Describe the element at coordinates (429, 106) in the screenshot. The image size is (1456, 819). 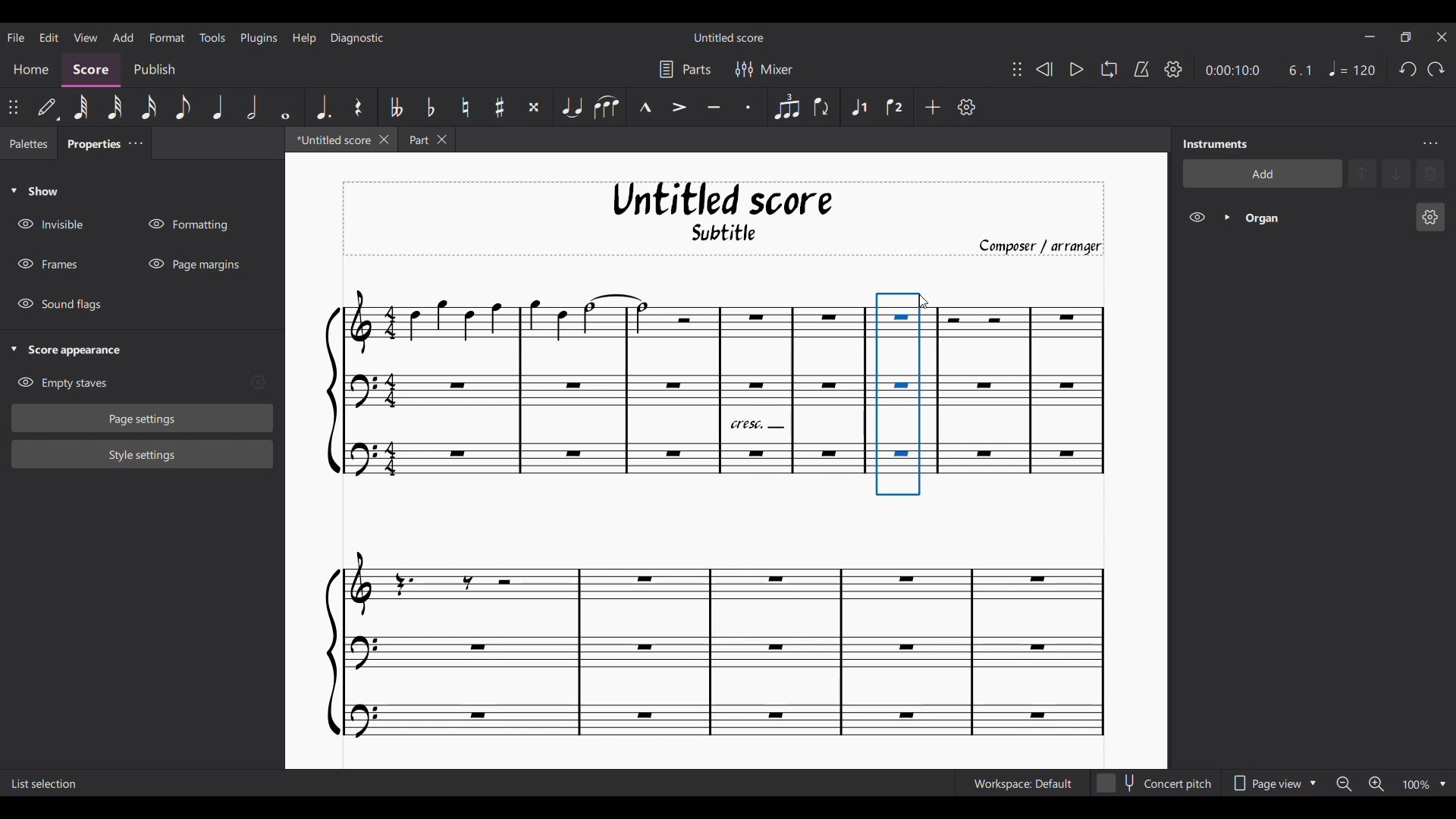
I see `Toggle flat` at that location.